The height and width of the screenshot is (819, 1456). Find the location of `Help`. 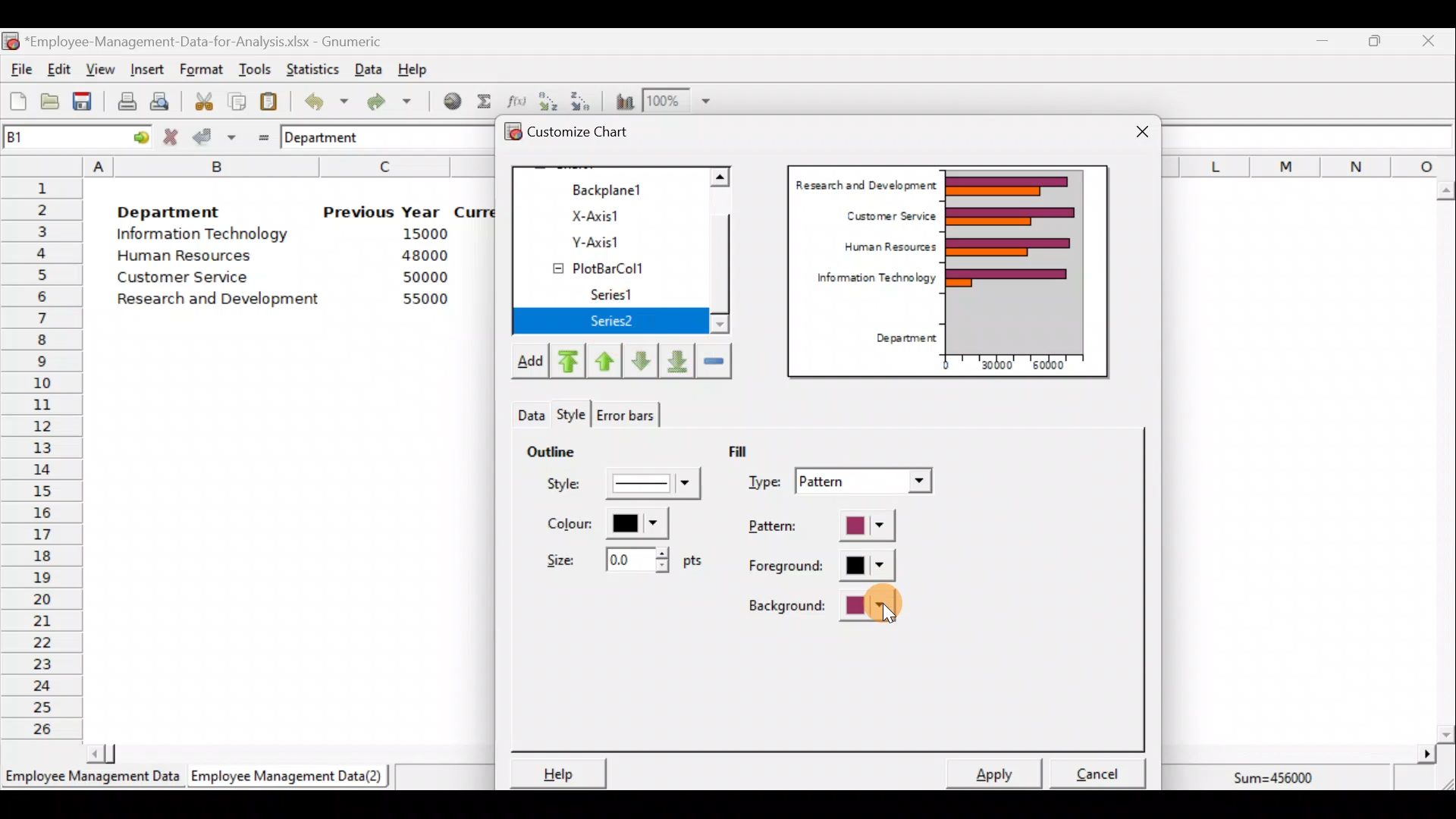

Help is located at coordinates (556, 773).